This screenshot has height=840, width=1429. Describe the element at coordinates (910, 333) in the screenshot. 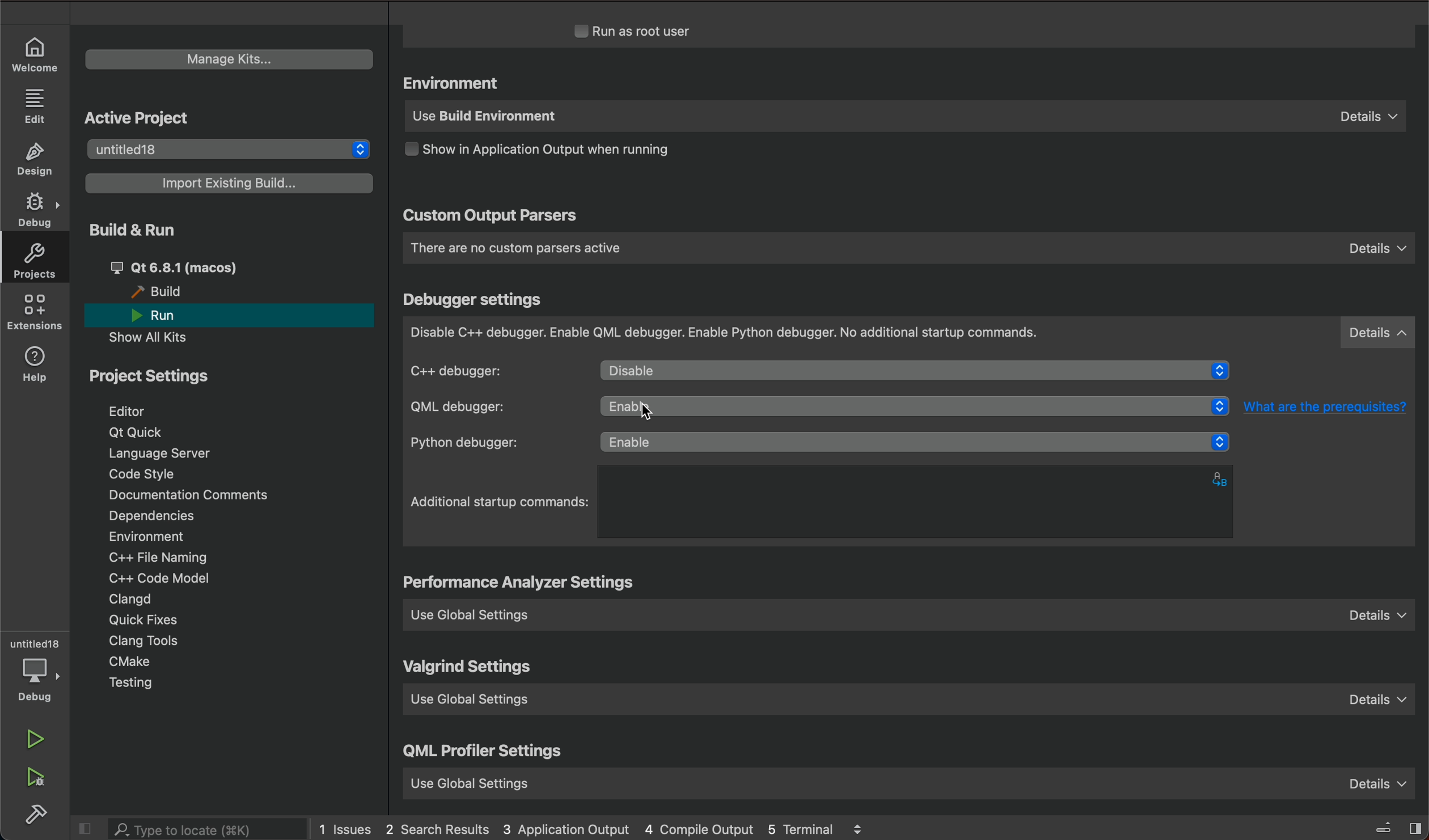

I see `debugger` at that location.